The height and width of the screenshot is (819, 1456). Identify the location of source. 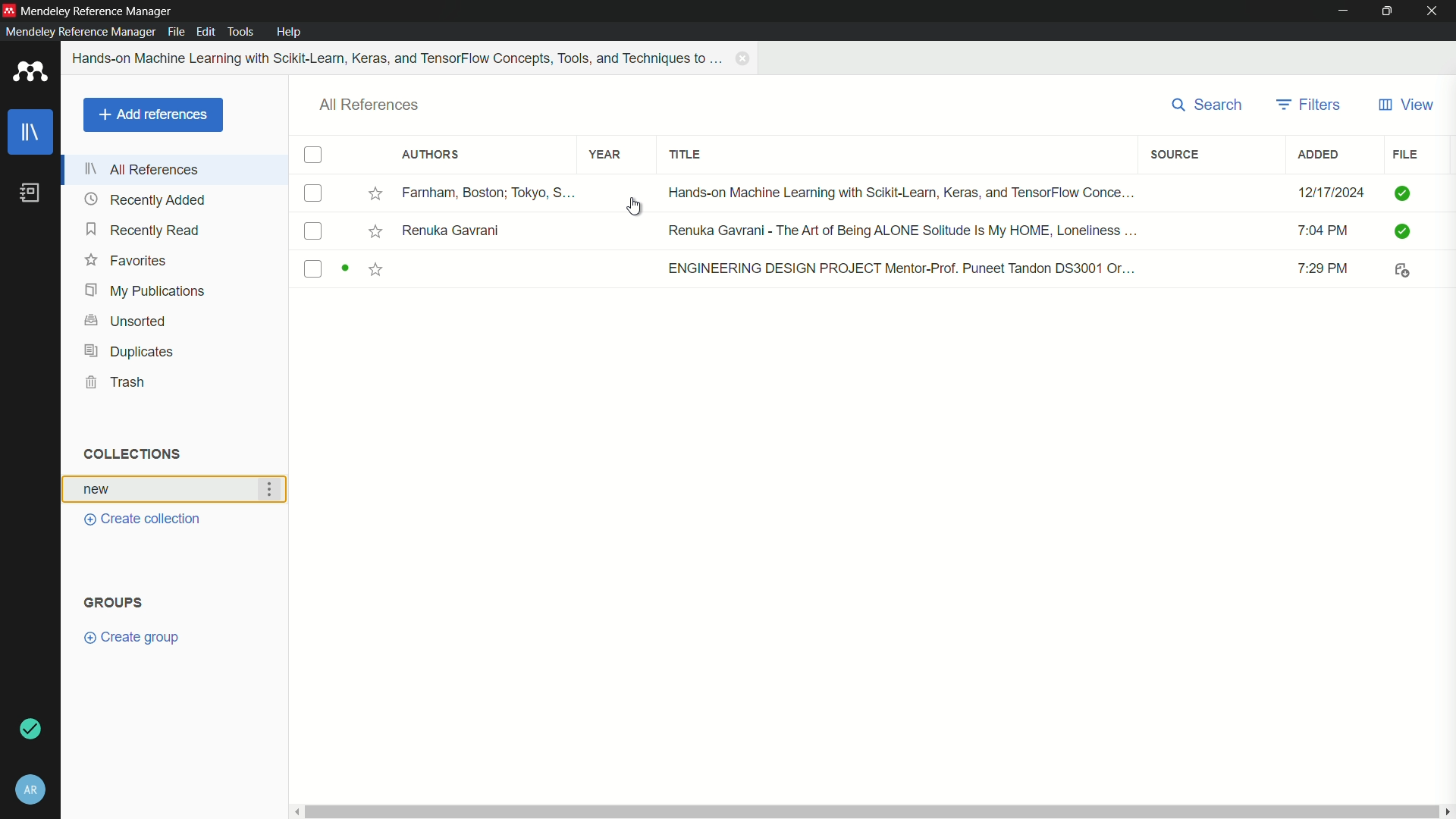
(1176, 154).